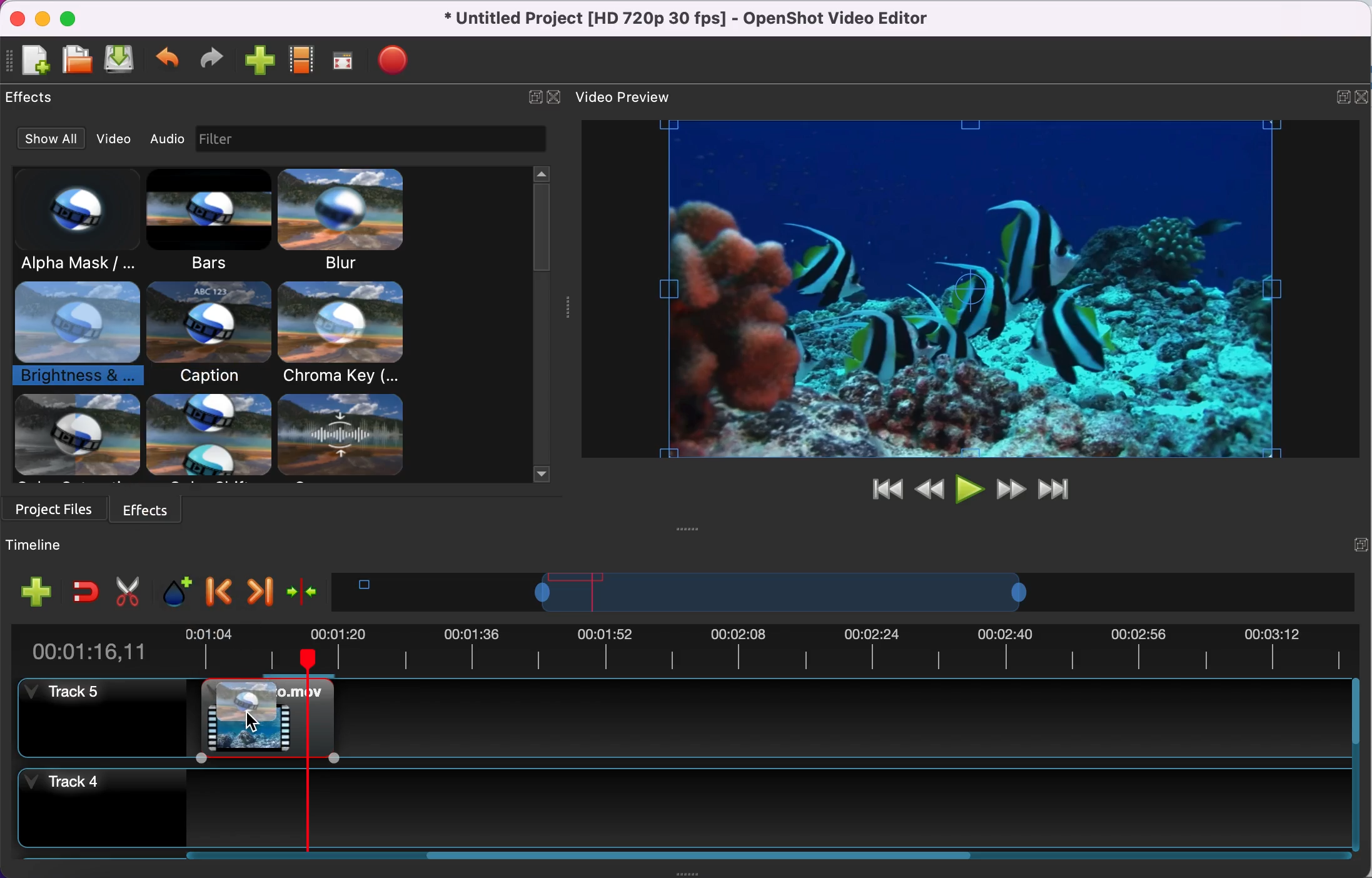 The width and height of the screenshot is (1372, 878). What do you see at coordinates (628, 96) in the screenshot?
I see `video preview` at bounding box center [628, 96].